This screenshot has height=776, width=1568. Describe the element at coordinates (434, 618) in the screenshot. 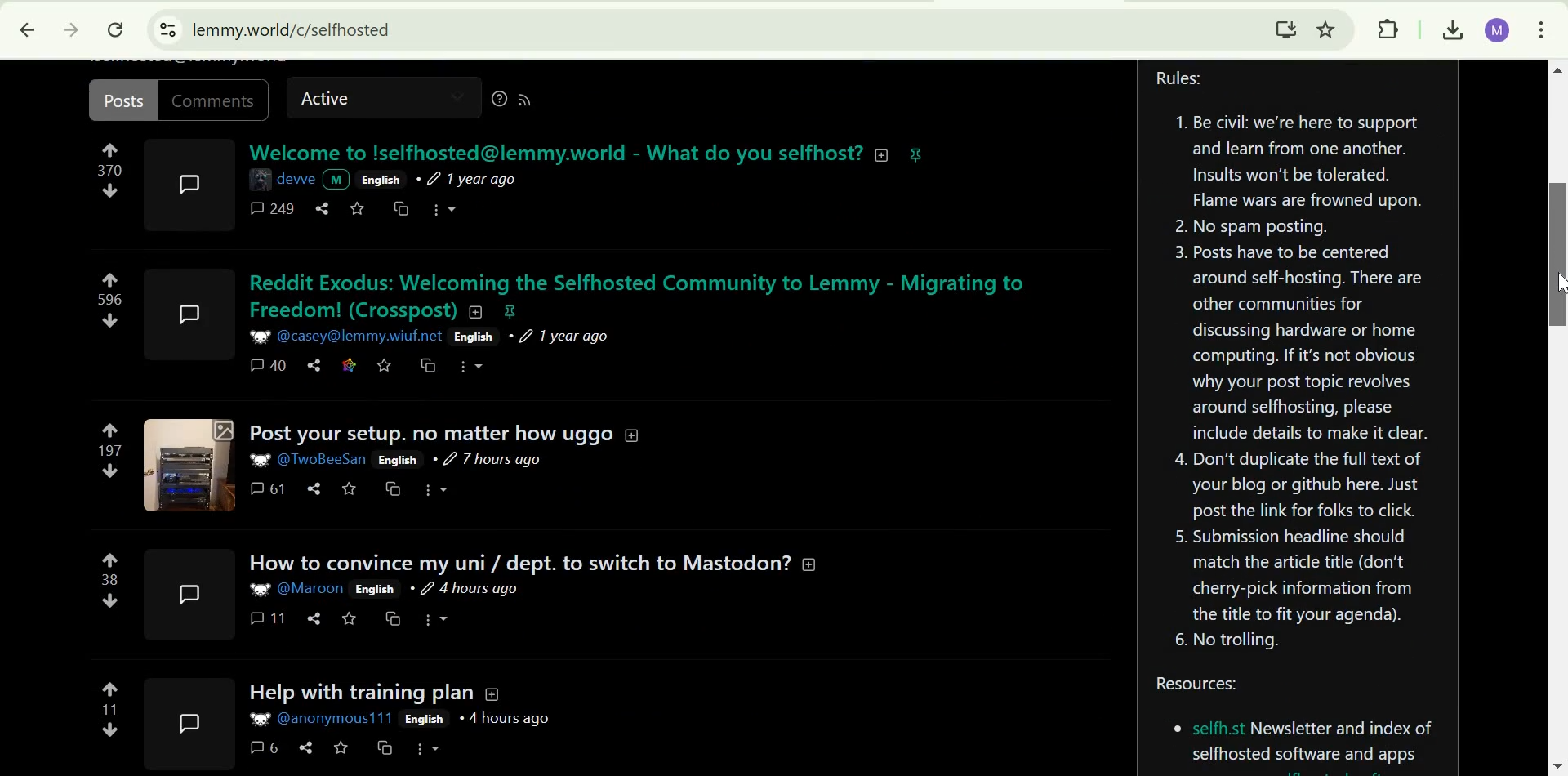

I see `more` at that location.